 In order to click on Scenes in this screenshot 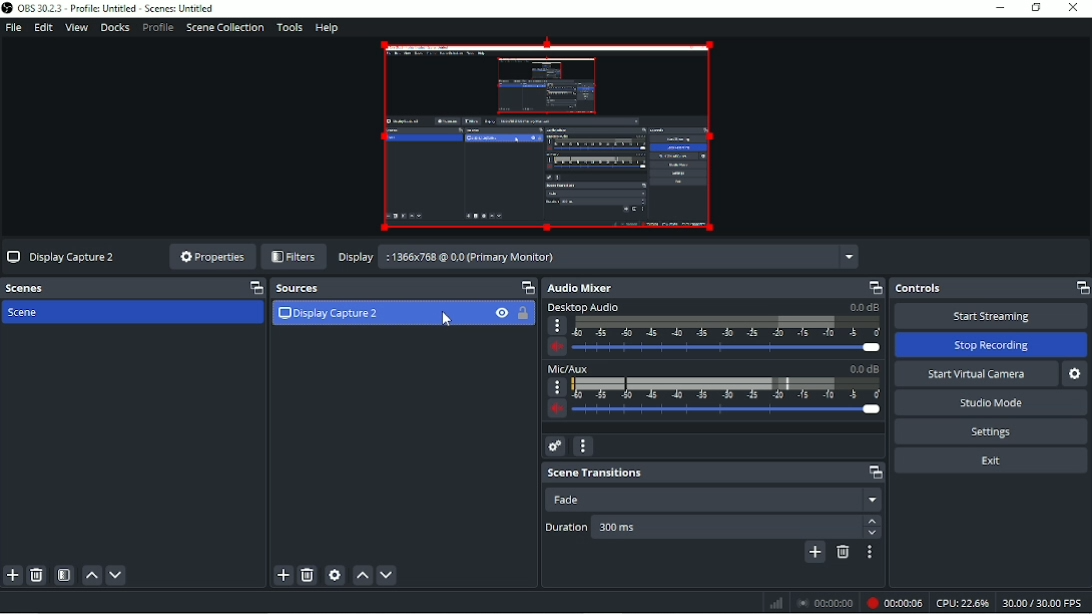, I will do `click(133, 288)`.